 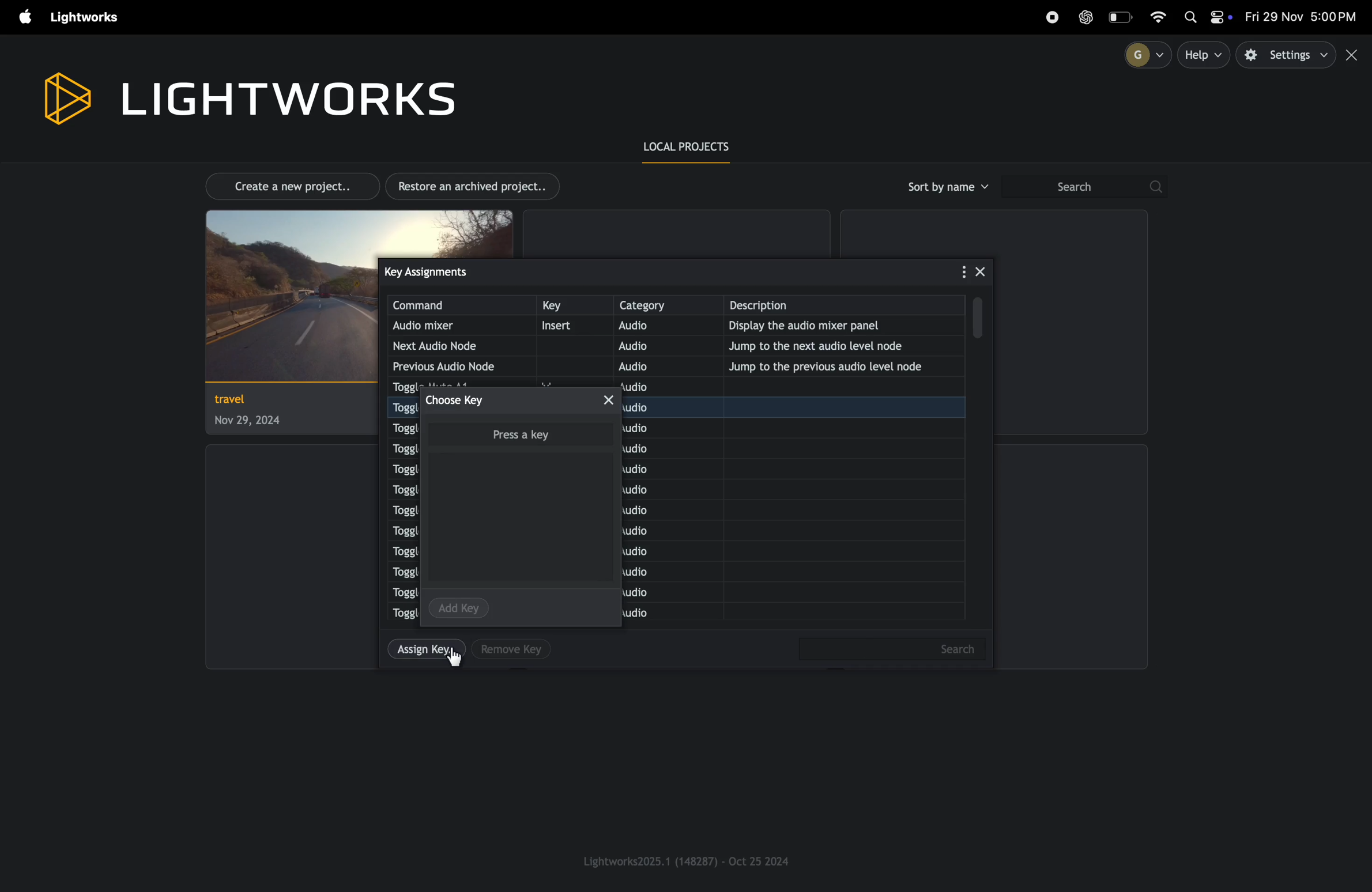 What do you see at coordinates (461, 305) in the screenshot?
I see `command` at bounding box center [461, 305].